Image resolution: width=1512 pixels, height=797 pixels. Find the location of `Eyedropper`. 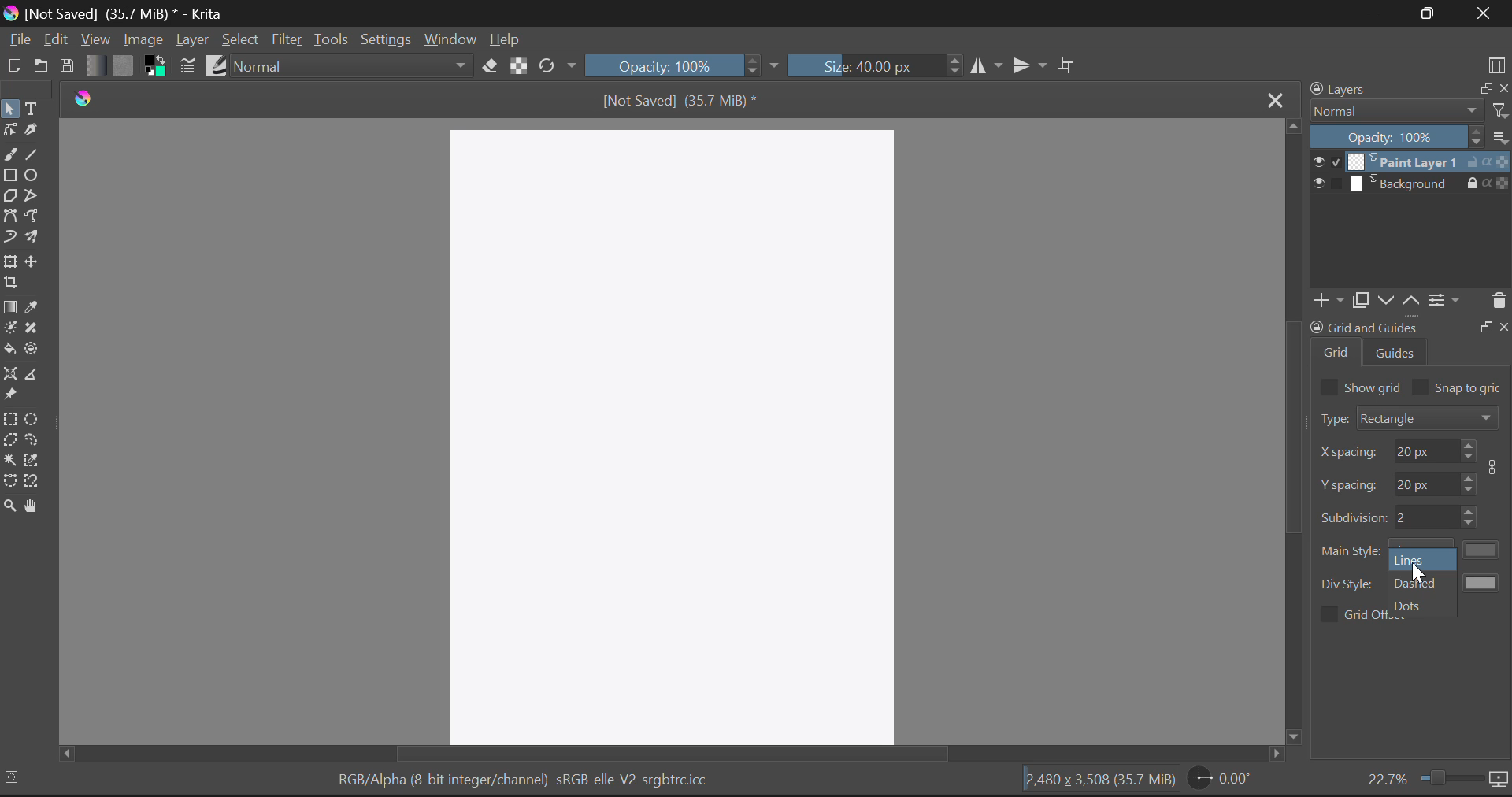

Eyedropper is located at coordinates (32, 309).